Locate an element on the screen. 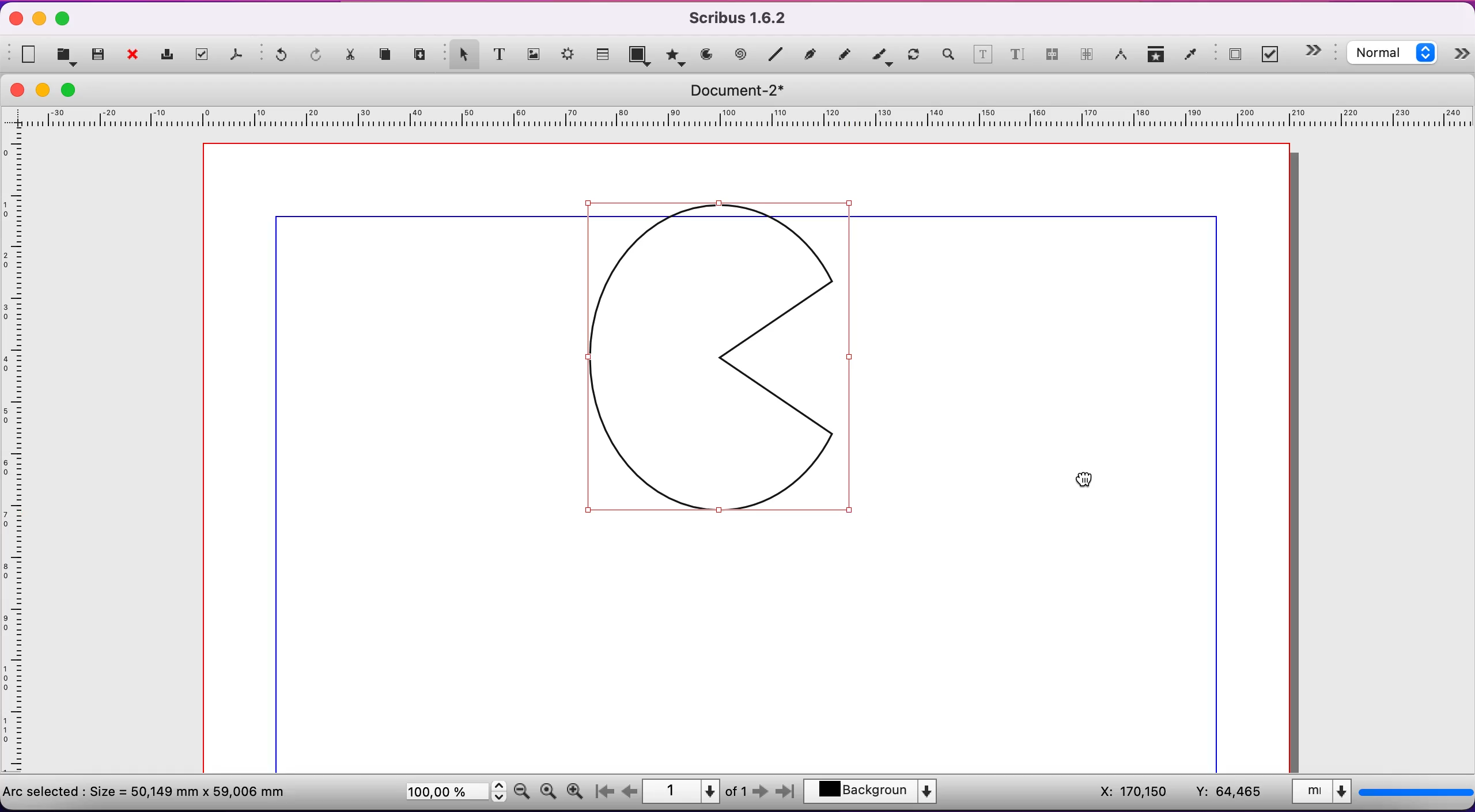 Image resolution: width=1475 pixels, height=812 pixels. close is located at coordinates (17, 90).